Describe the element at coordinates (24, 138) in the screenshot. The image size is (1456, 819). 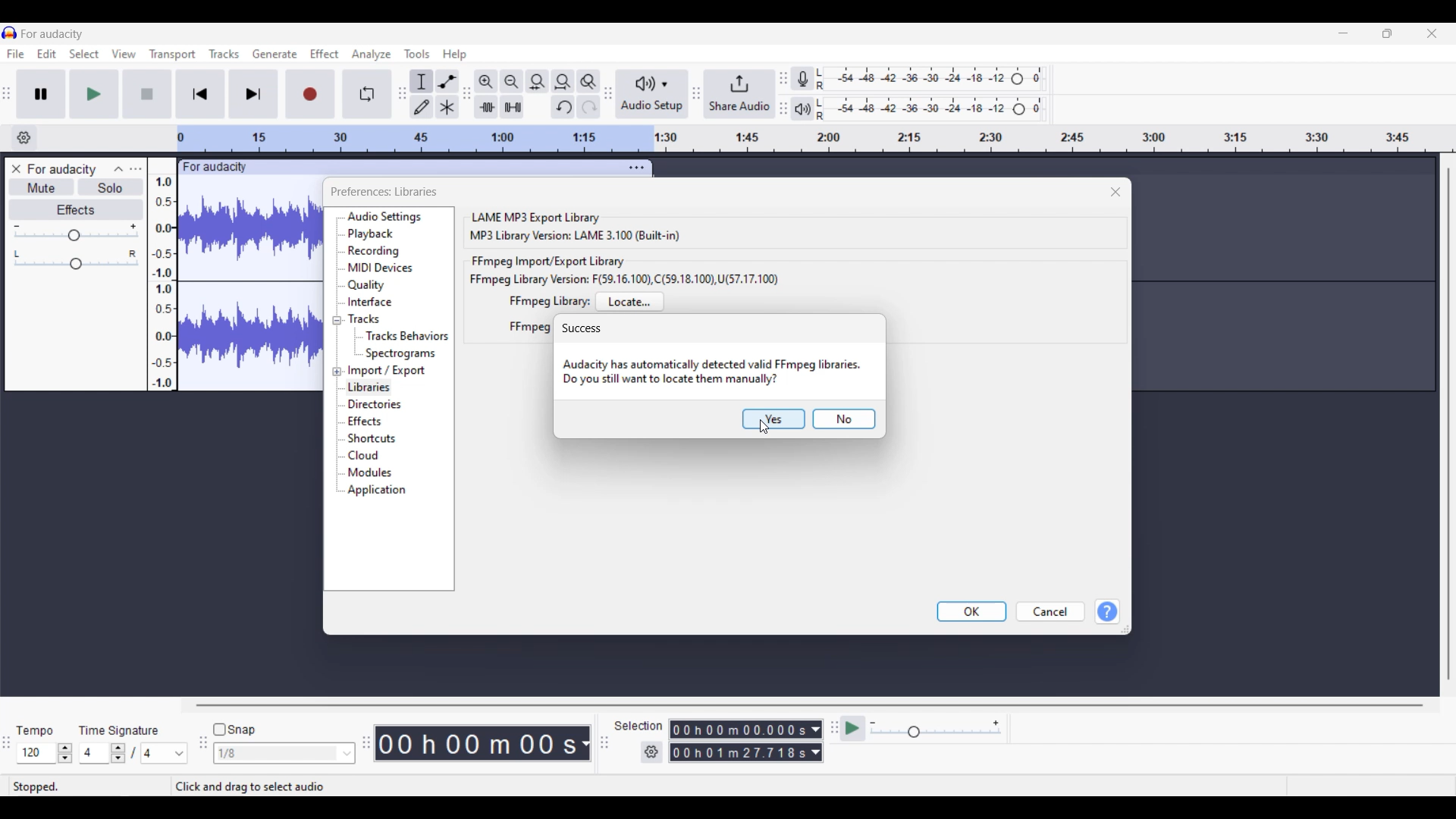
I see `Timeline settings` at that location.